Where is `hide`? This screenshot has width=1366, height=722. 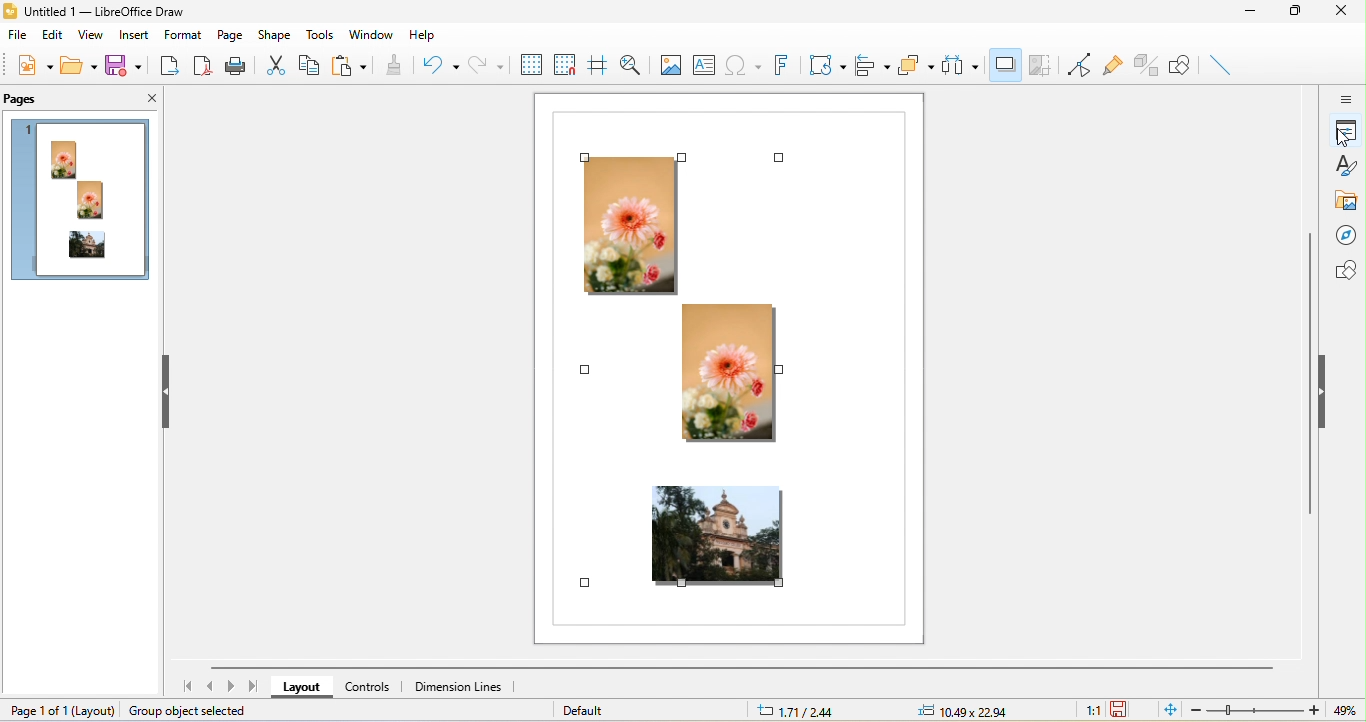 hide is located at coordinates (169, 391).